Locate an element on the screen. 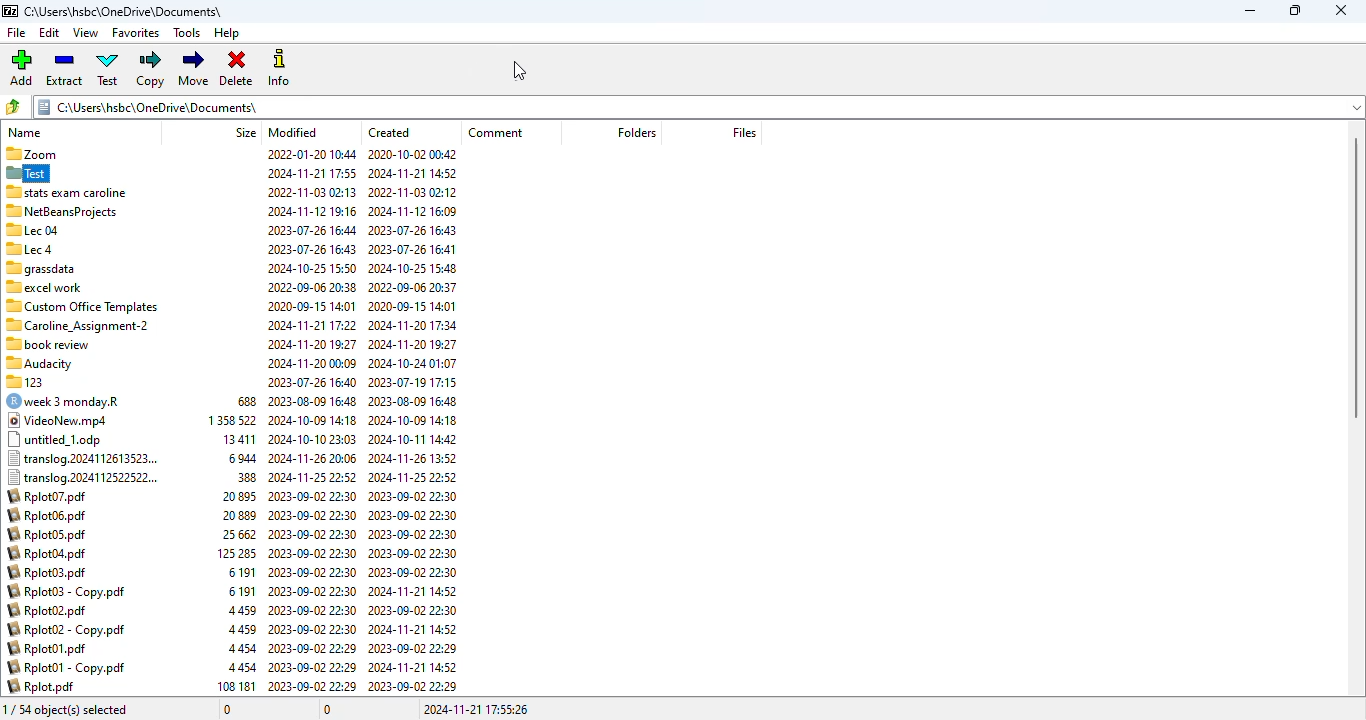  25 662 is located at coordinates (239, 534).